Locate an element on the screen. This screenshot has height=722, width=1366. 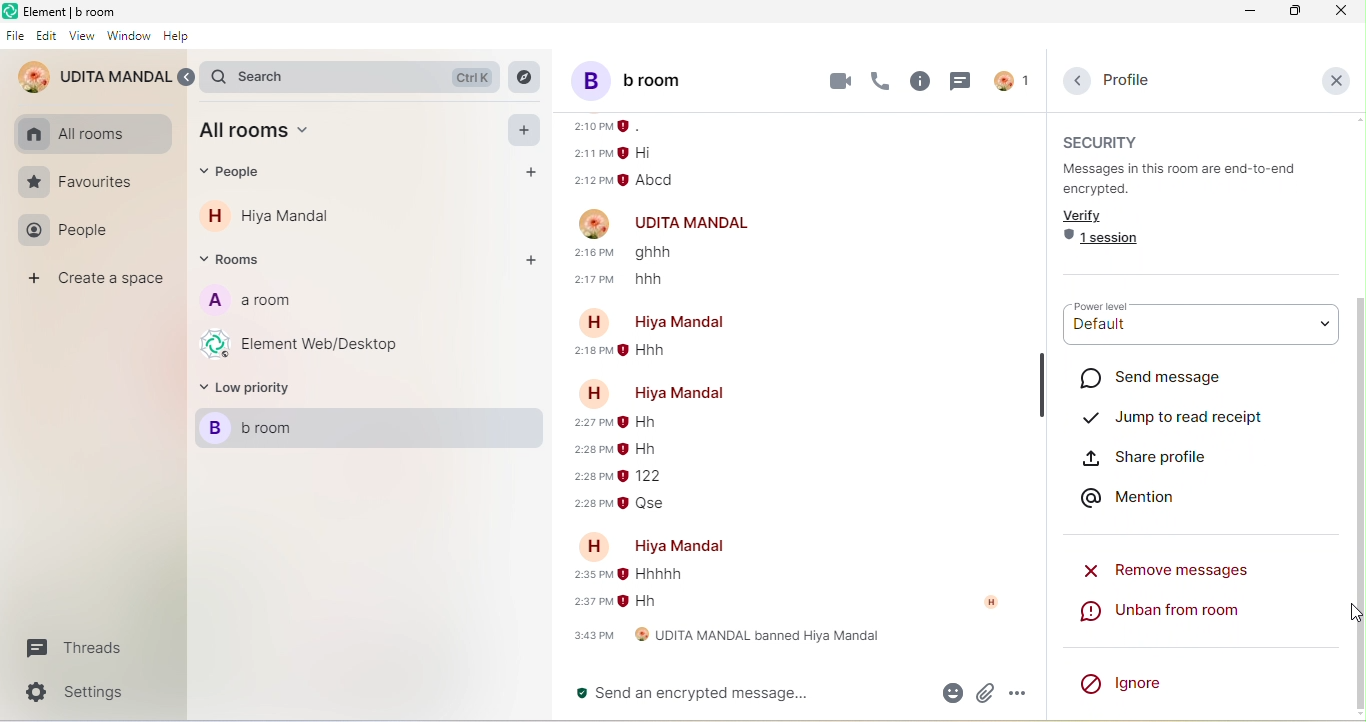
people is located at coordinates (70, 233).